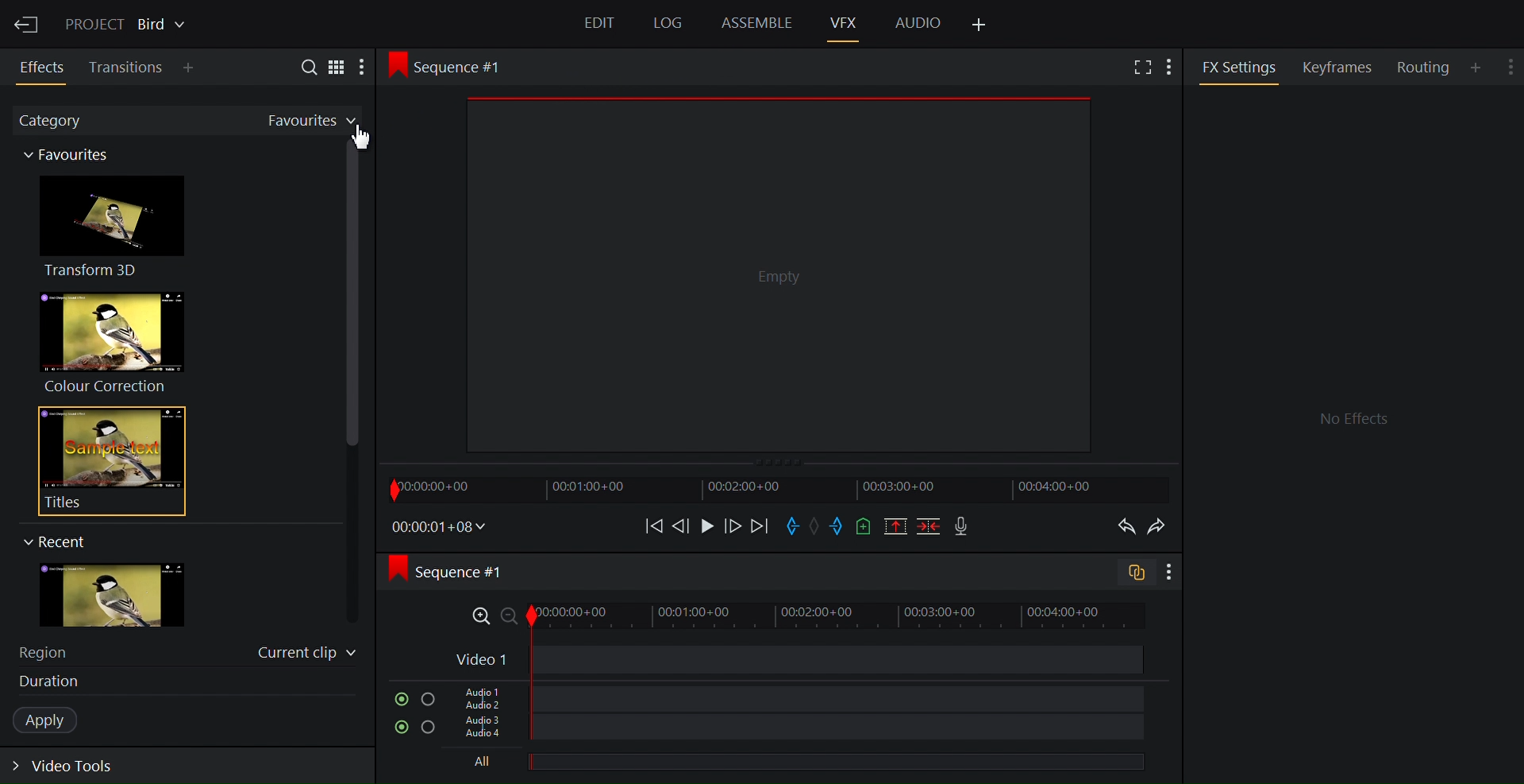  I want to click on Assemble, so click(756, 23).